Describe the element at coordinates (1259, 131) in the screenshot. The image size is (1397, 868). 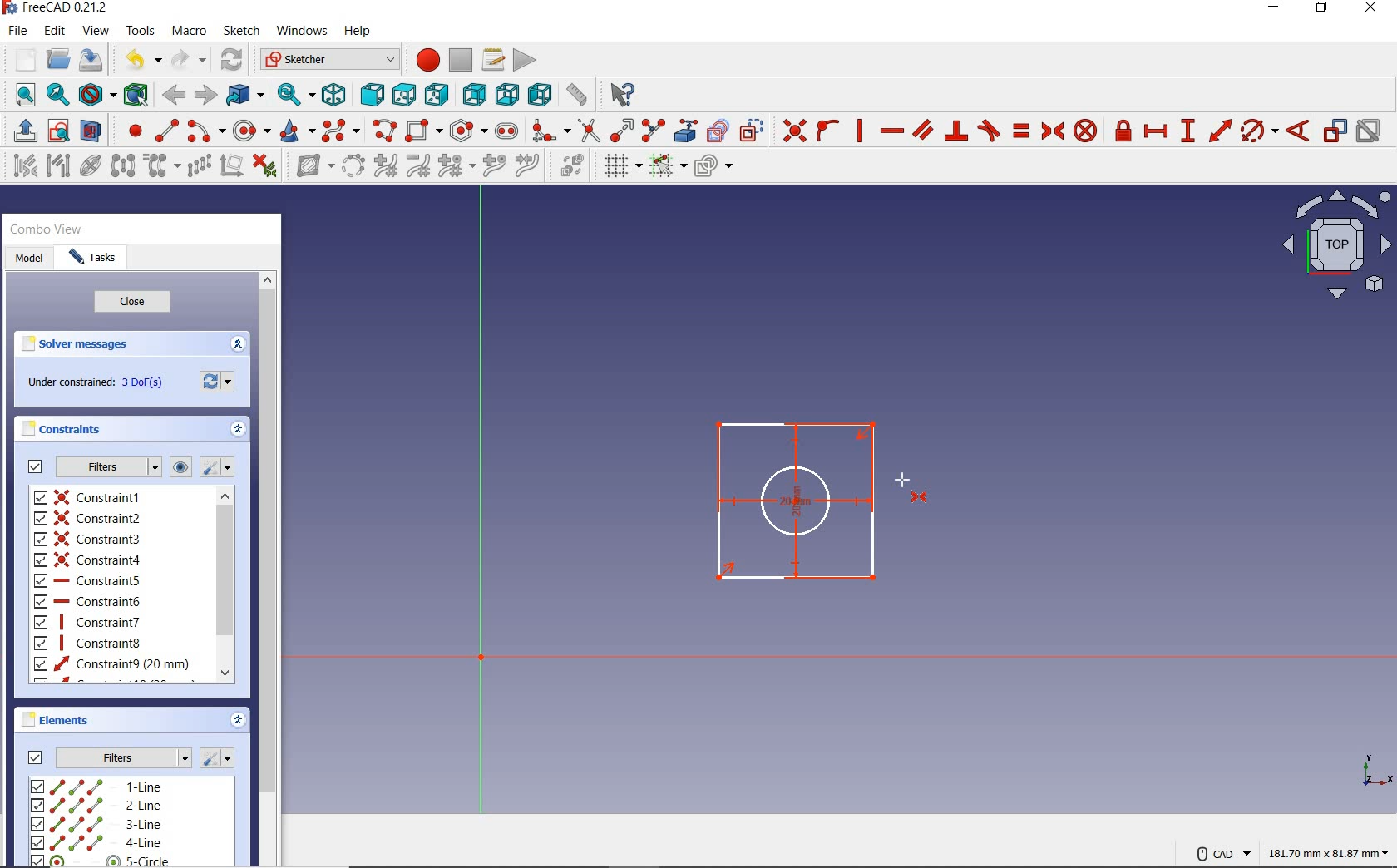
I see `constrain arc or circle` at that location.